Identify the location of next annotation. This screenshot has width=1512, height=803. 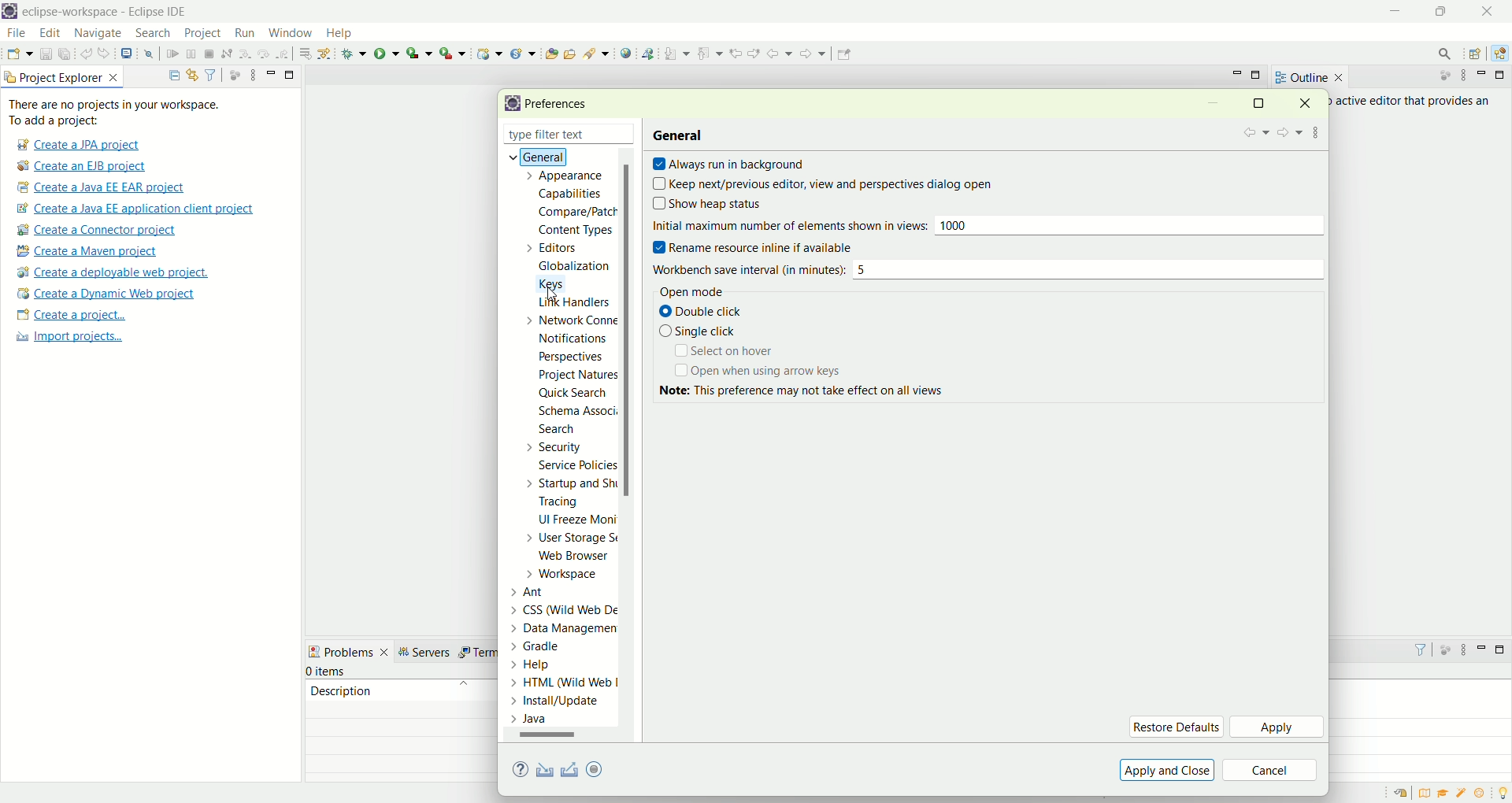
(677, 53).